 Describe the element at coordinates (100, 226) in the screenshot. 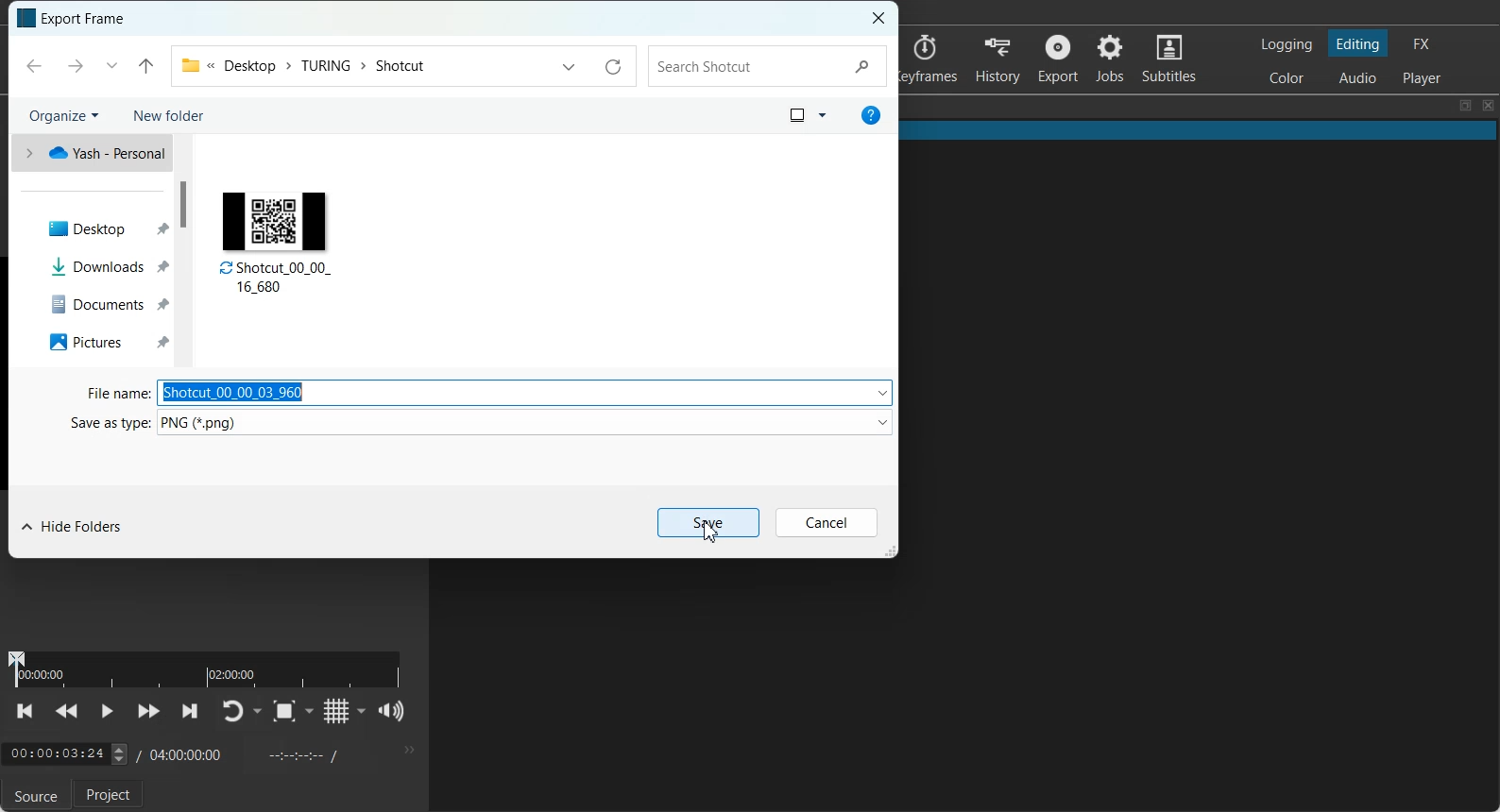

I see `Desktop` at that location.